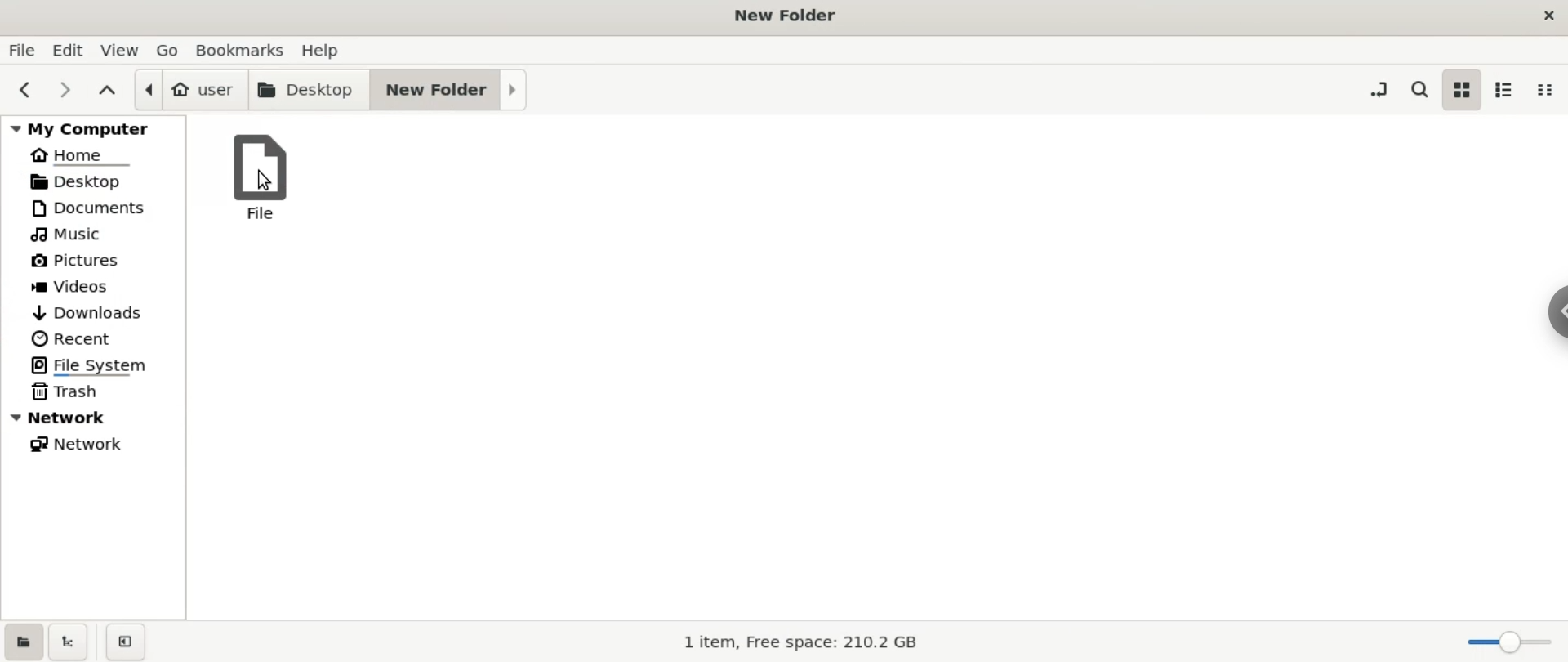 The image size is (1568, 662). What do you see at coordinates (782, 16) in the screenshot?
I see `new folder` at bounding box center [782, 16].